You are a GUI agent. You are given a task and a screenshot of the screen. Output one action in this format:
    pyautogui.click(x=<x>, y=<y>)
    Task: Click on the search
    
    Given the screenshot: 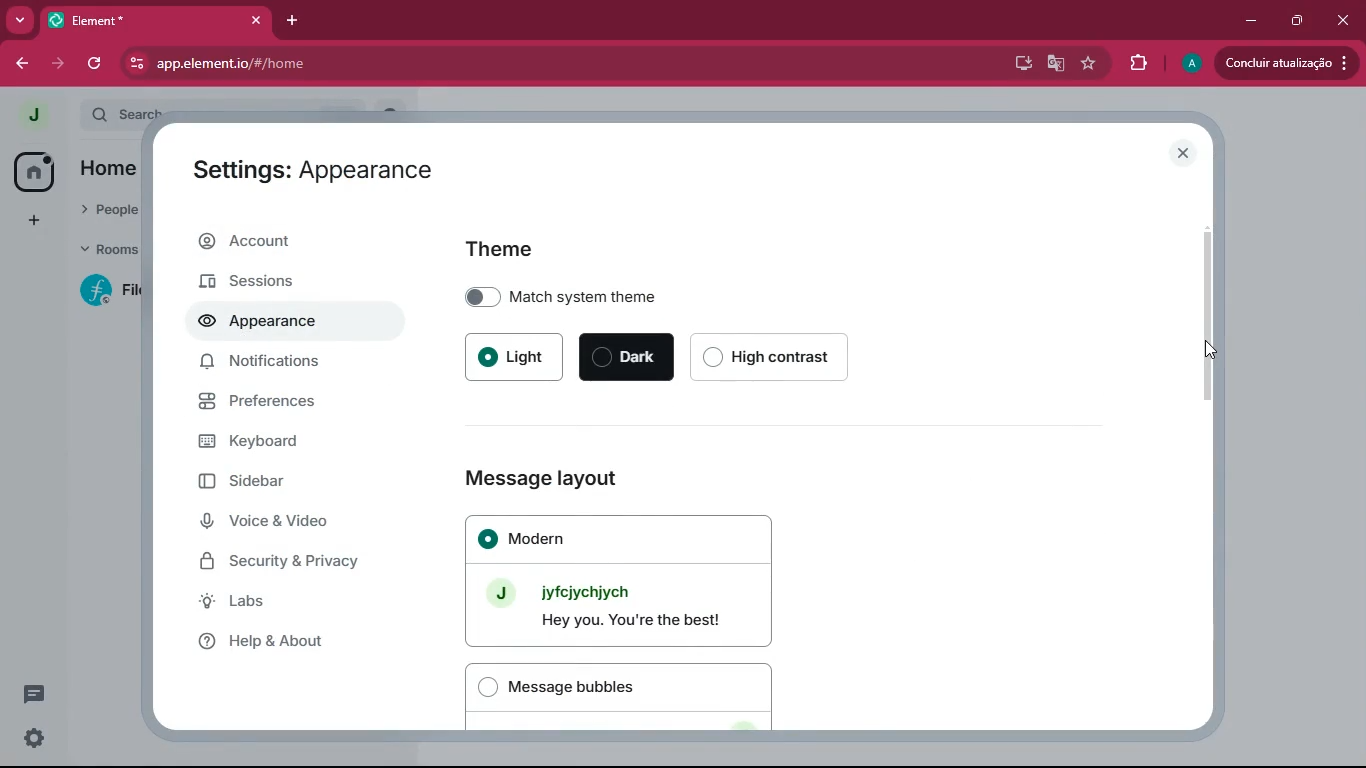 What is the action you would take?
    pyautogui.click(x=127, y=114)
    